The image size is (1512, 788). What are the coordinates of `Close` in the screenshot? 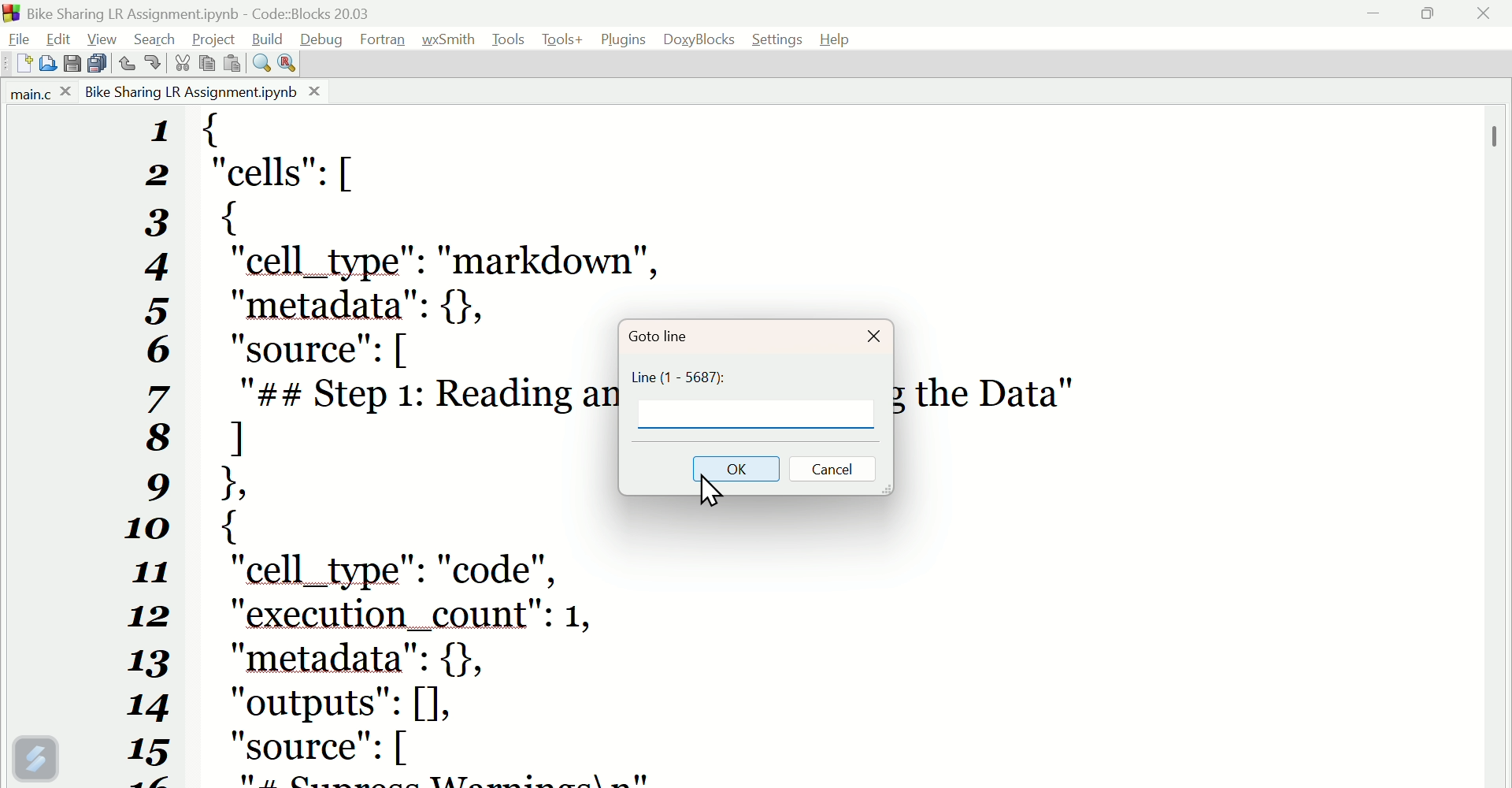 It's located at (1484, 20).